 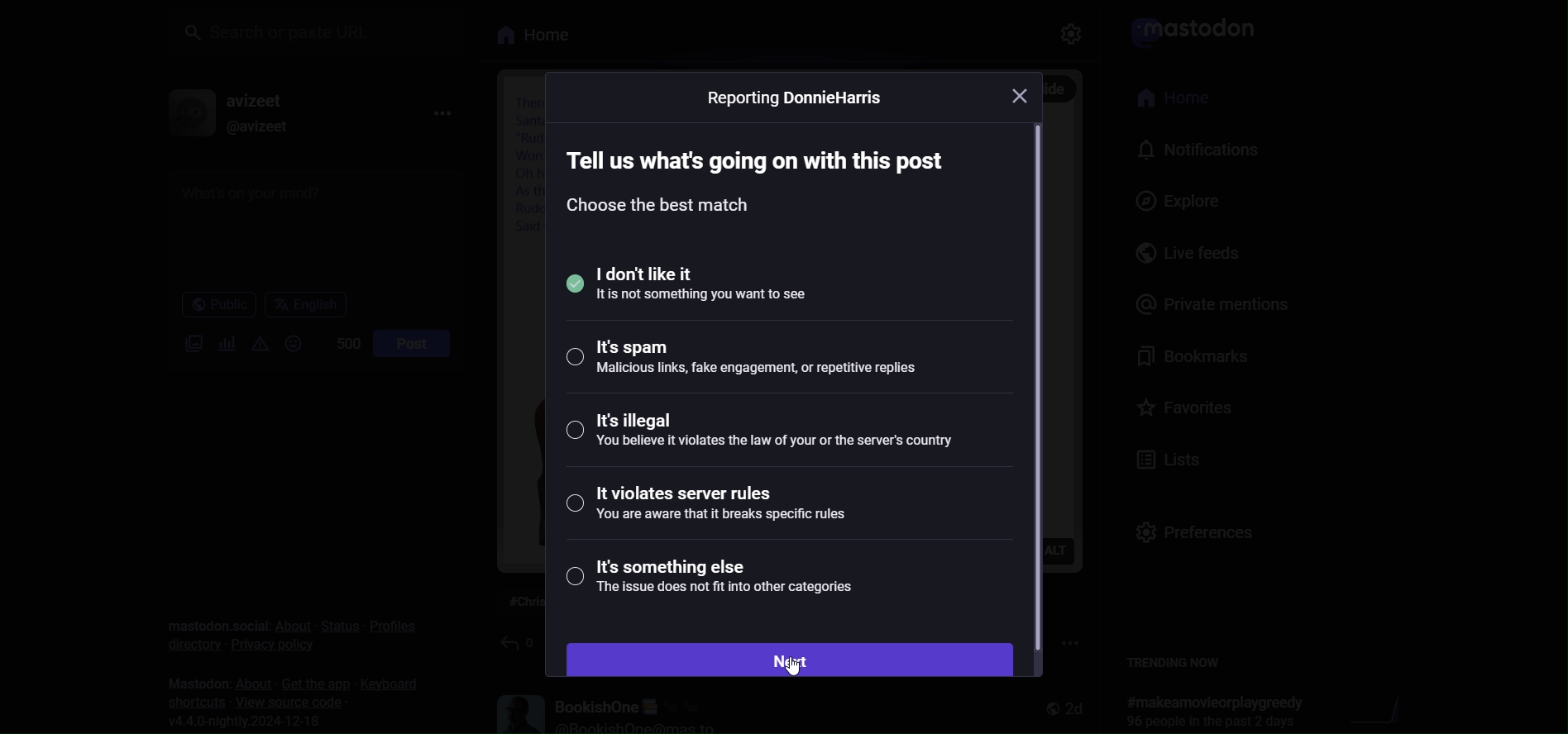 I want to click on about, so click(x=290, y=626).